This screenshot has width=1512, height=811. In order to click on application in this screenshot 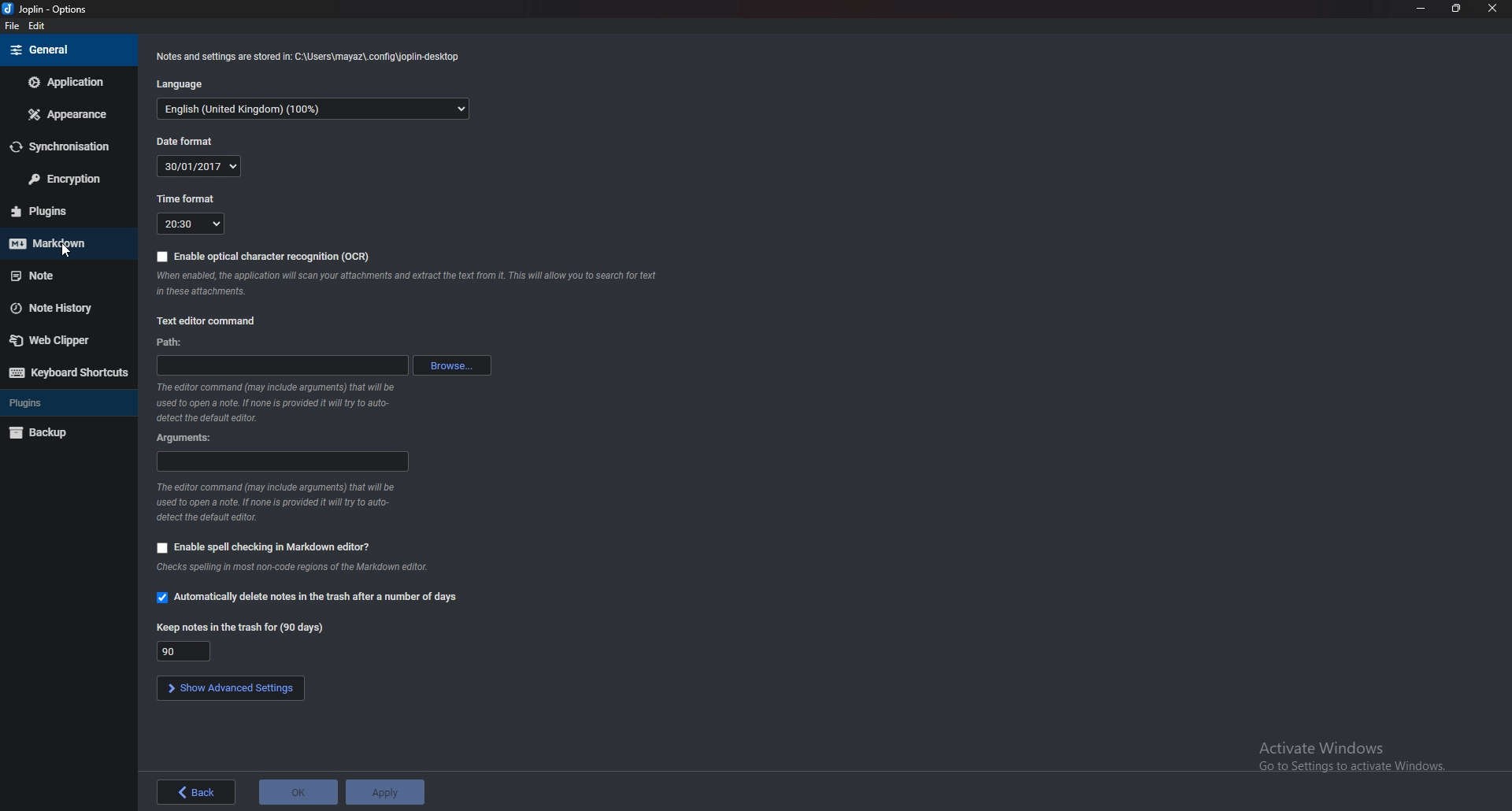, I will do `click(65, 81)`.